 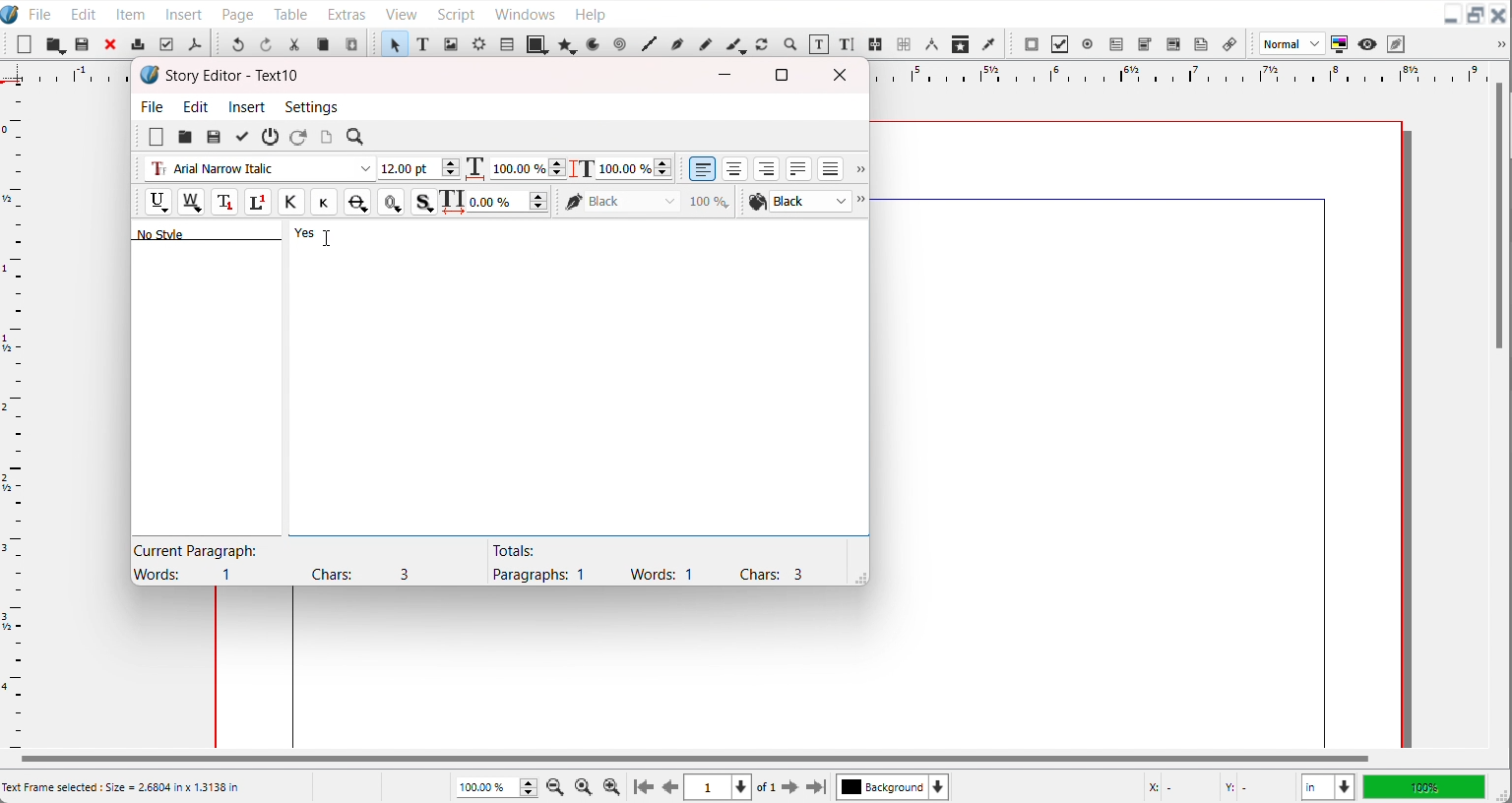 I want to click on Shape, so click(x=537, y=43).